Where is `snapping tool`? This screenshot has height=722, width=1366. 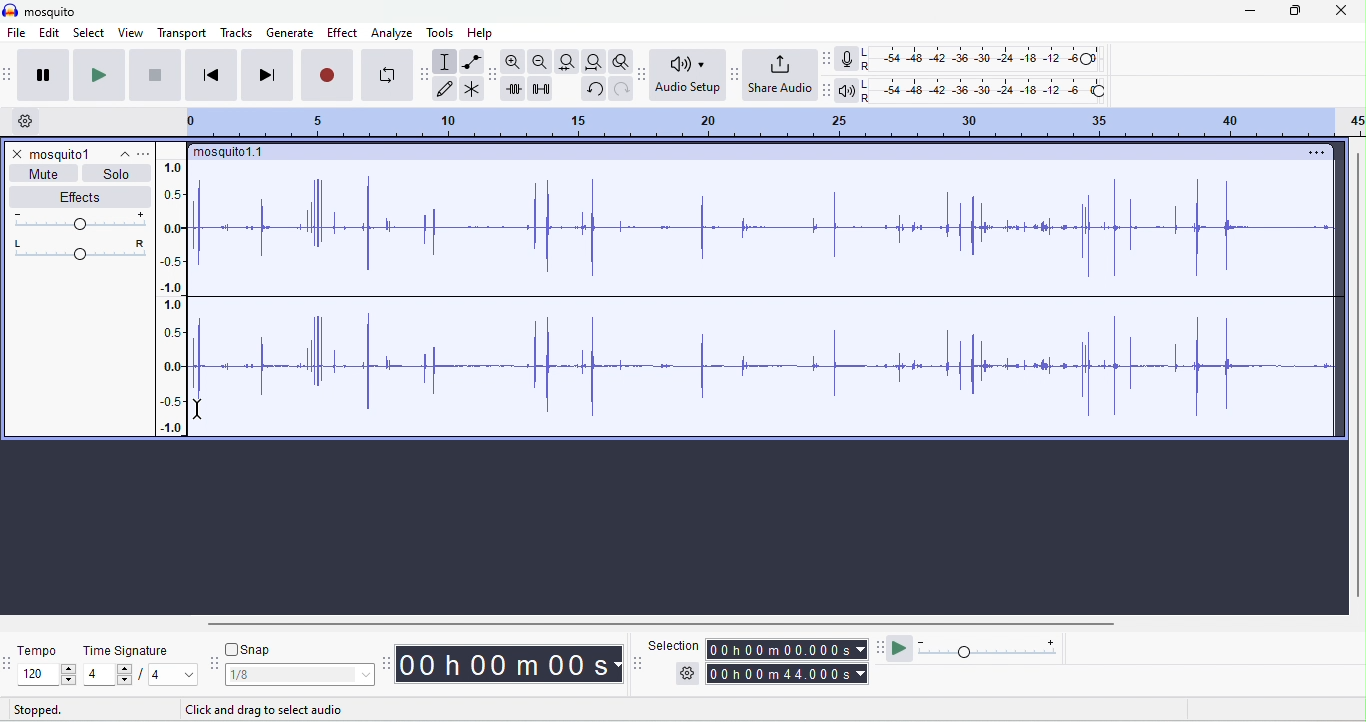
snapping tool is located at coordinates (214, 662).